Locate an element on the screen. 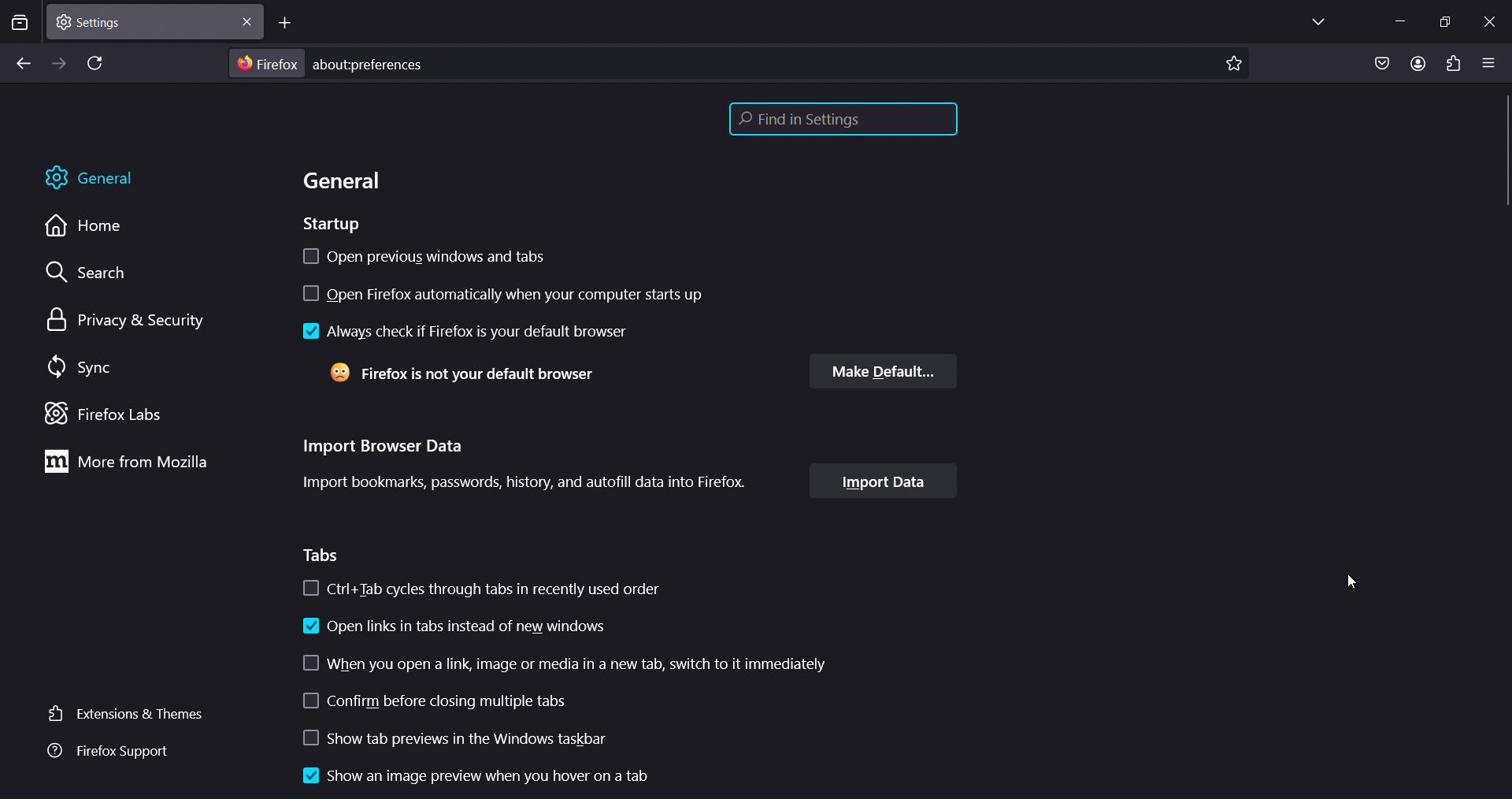 This screenshot has height=799, width=1512. go back one page is located at coordinates (21, 65).